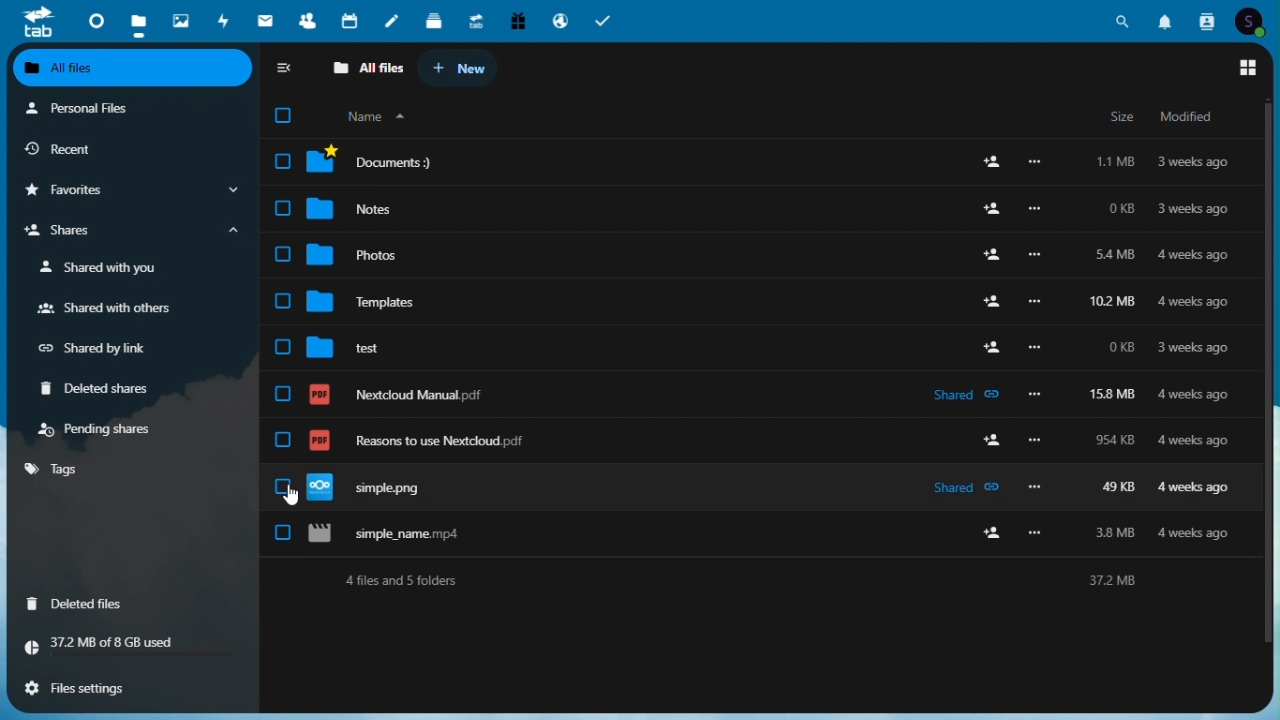 The height and width of the screenshot is (720, 1280). What do you see at coordinates (434, 18) in the screenshot?
I see `deck` at bounding box center [434, 18].